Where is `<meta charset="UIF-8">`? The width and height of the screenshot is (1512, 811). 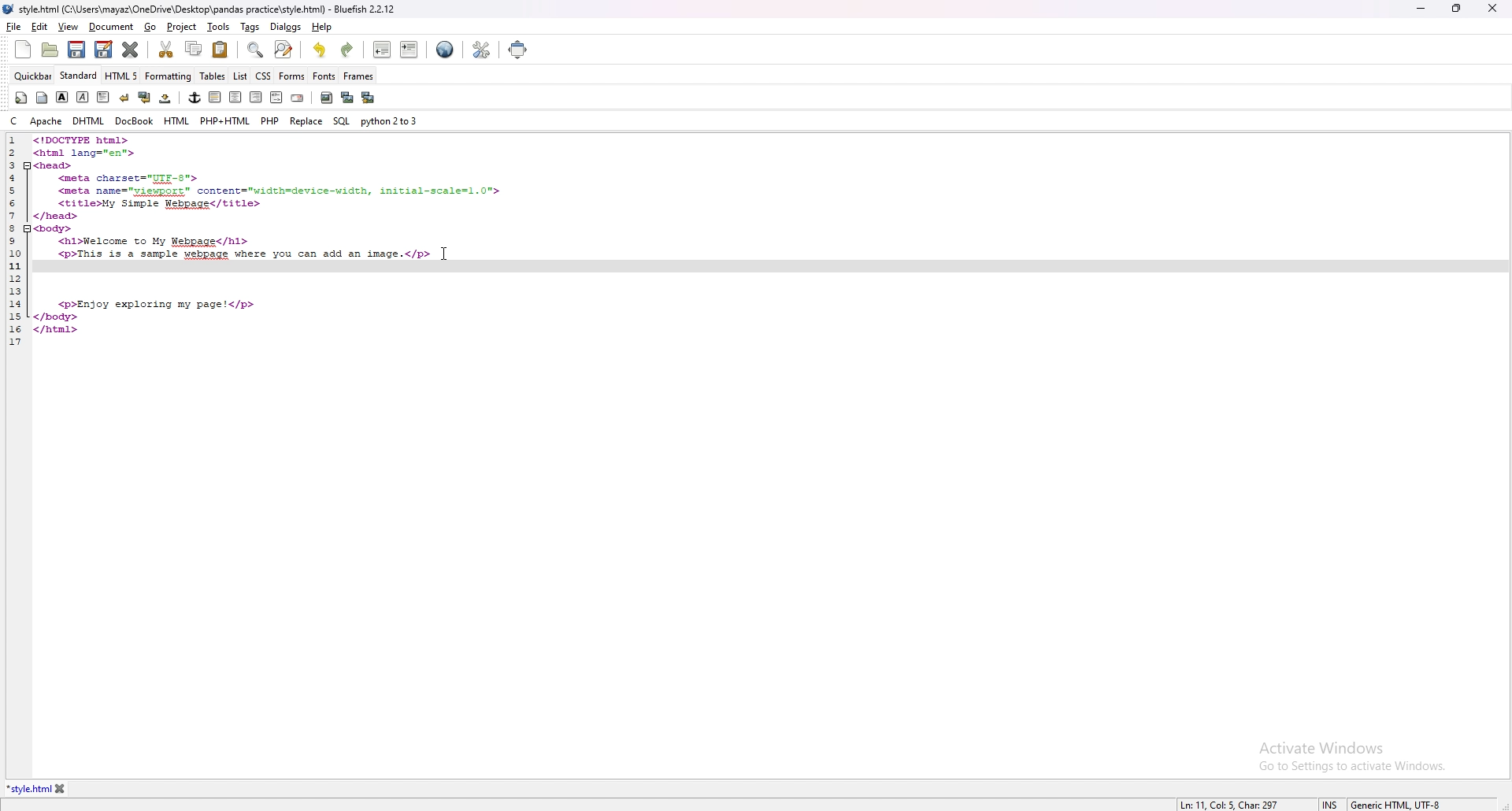 <meta charset="UIF-8"> is located at coordinates (130, 179).